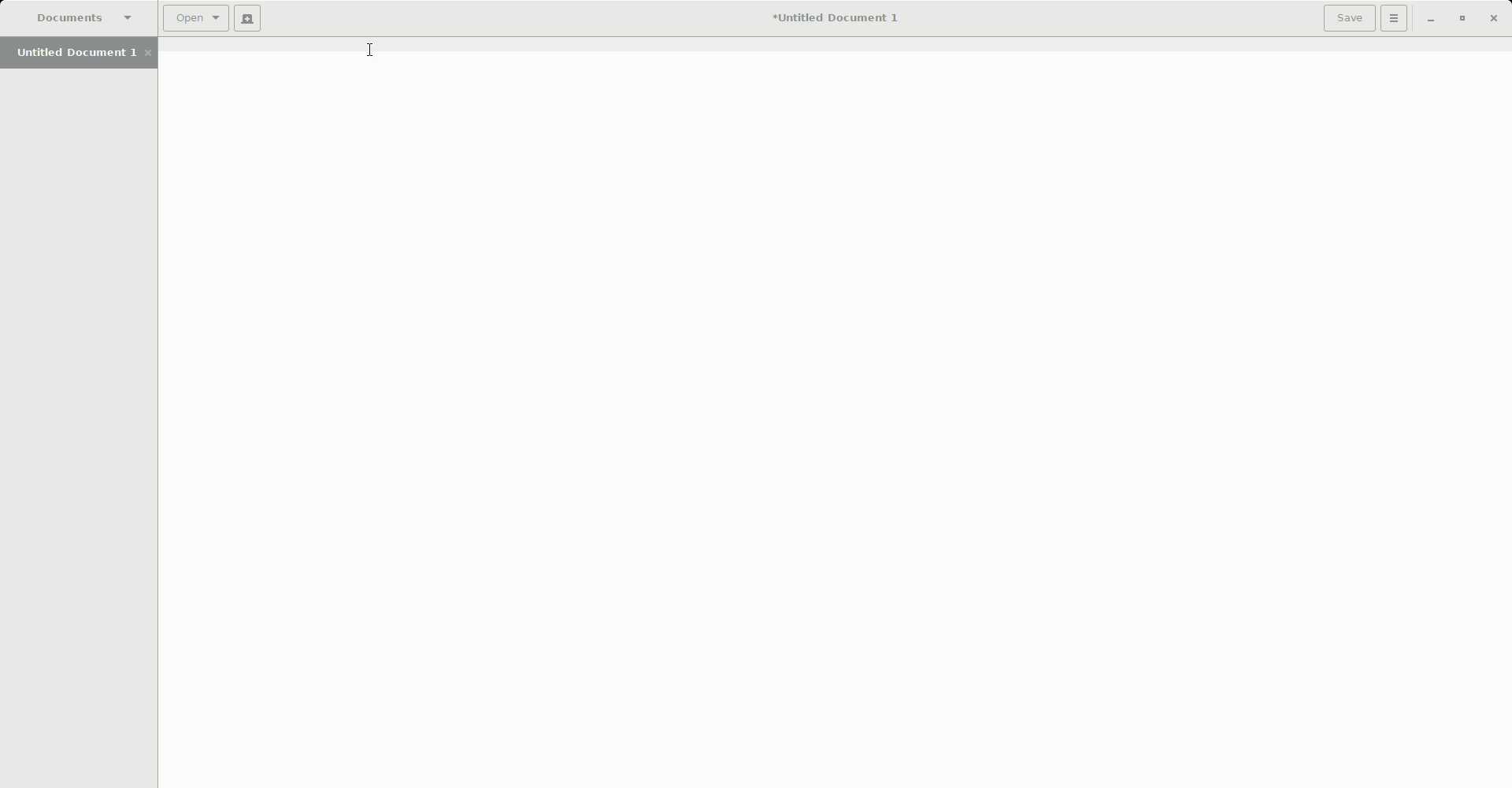 The width and height of the screenshot is (1512, 788). I want to click on Open, so click(194, 17).